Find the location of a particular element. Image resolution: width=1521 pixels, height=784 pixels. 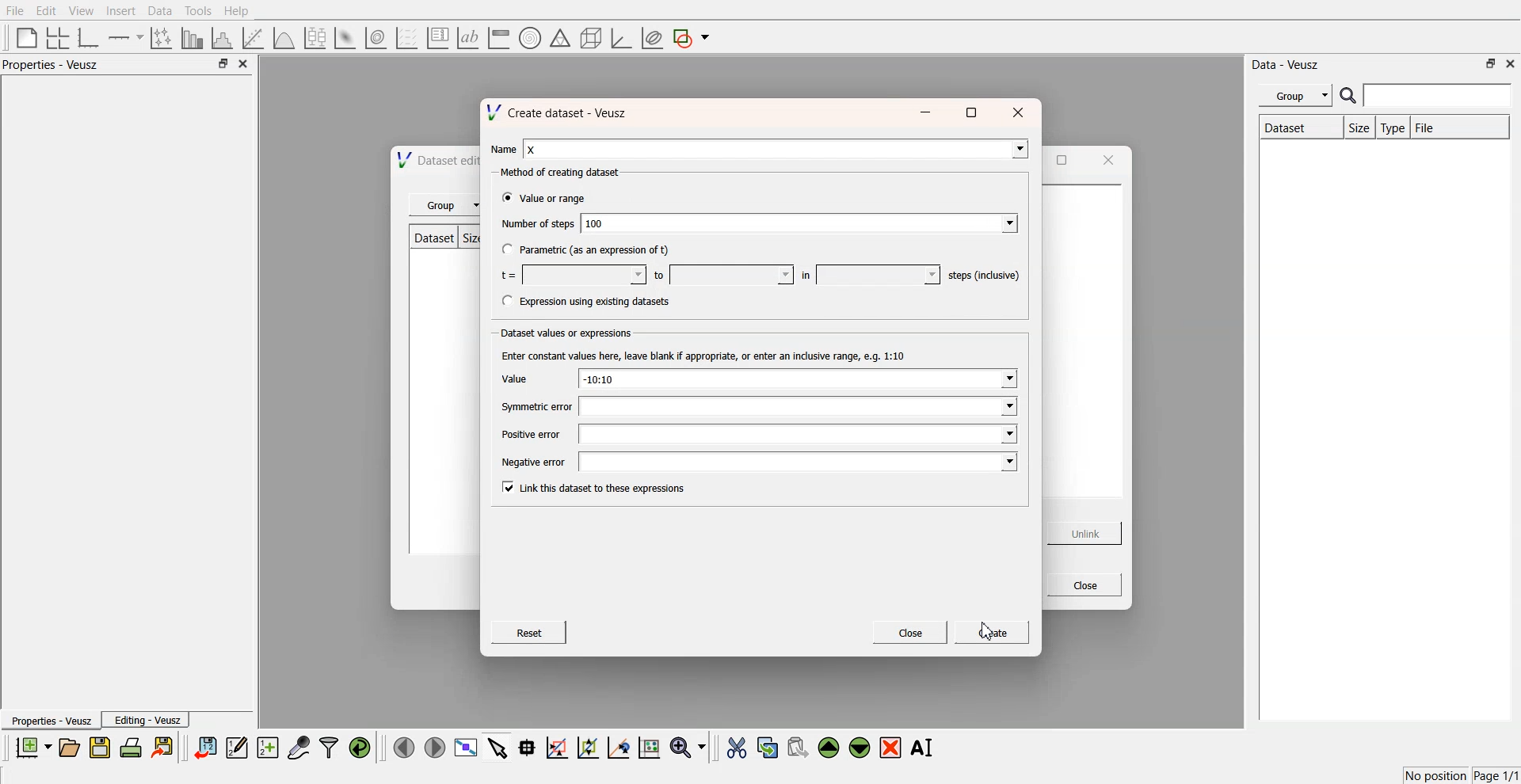

maximise is located at coordinates (973, 111).